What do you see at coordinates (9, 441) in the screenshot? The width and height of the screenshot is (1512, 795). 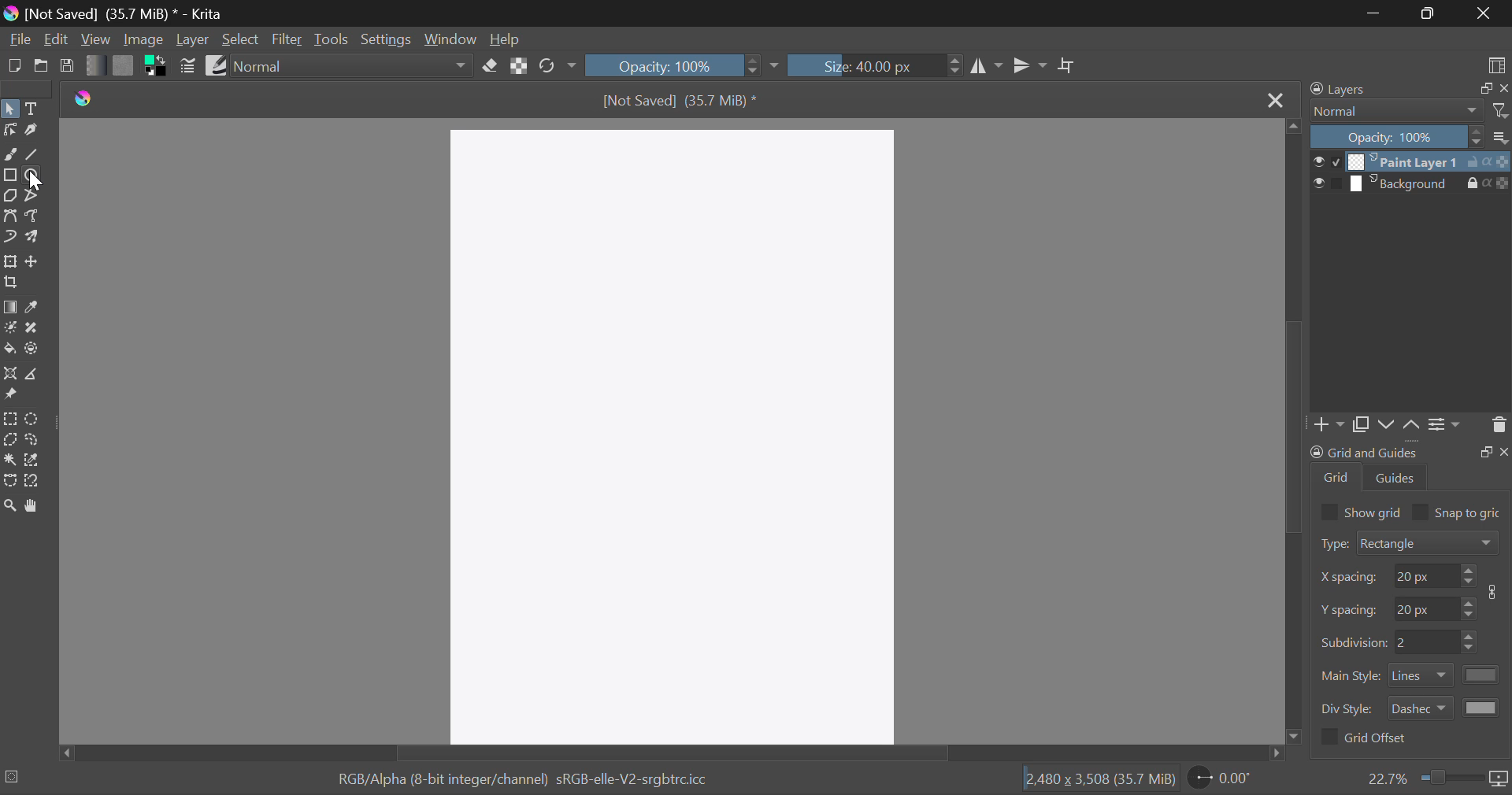 I see `Polygon Selection` at bounding box center [9, 441].